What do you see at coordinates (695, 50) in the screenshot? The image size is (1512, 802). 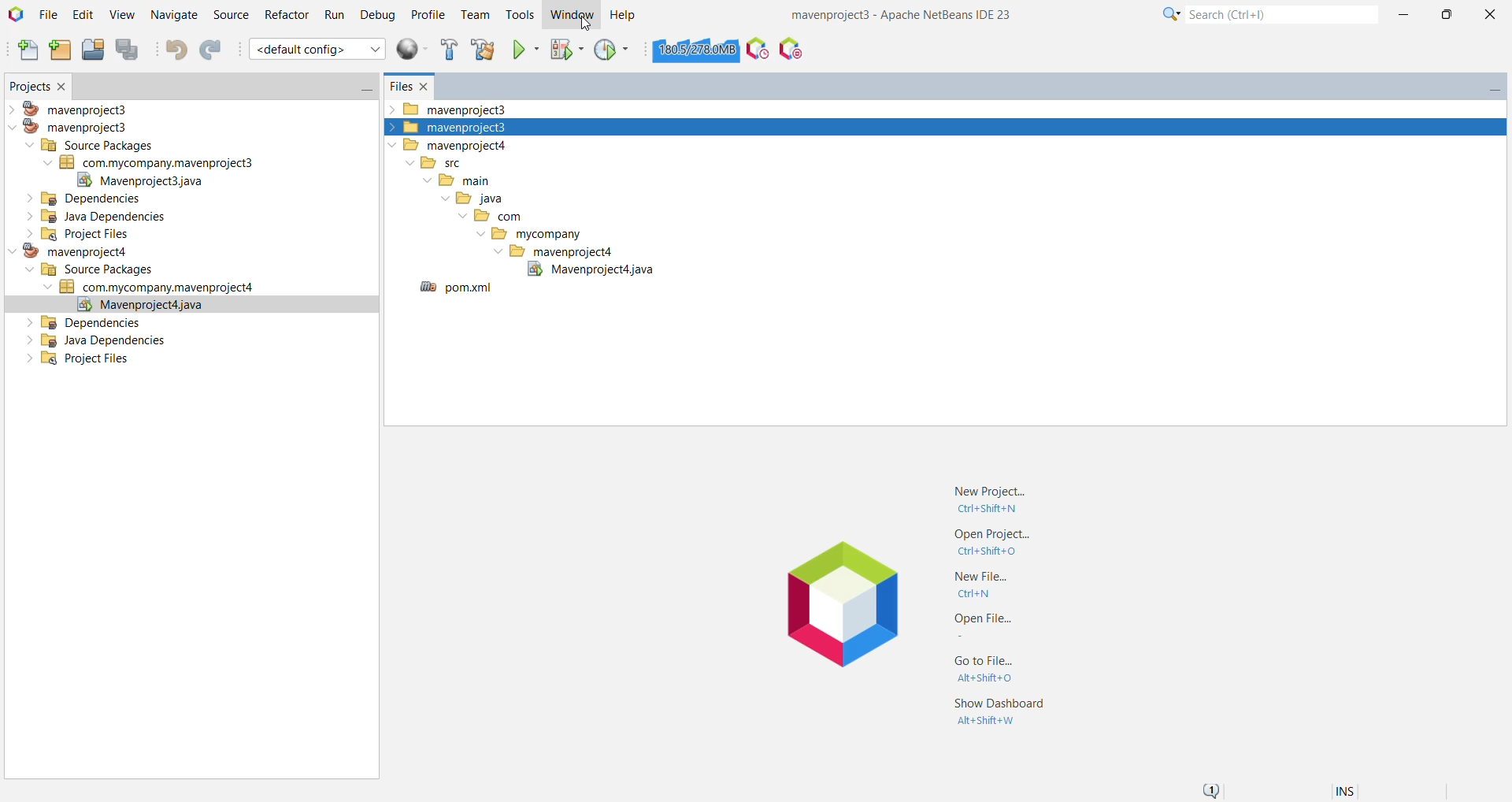 I see `Click to force garbage collection` at bounding box center [695, 50].